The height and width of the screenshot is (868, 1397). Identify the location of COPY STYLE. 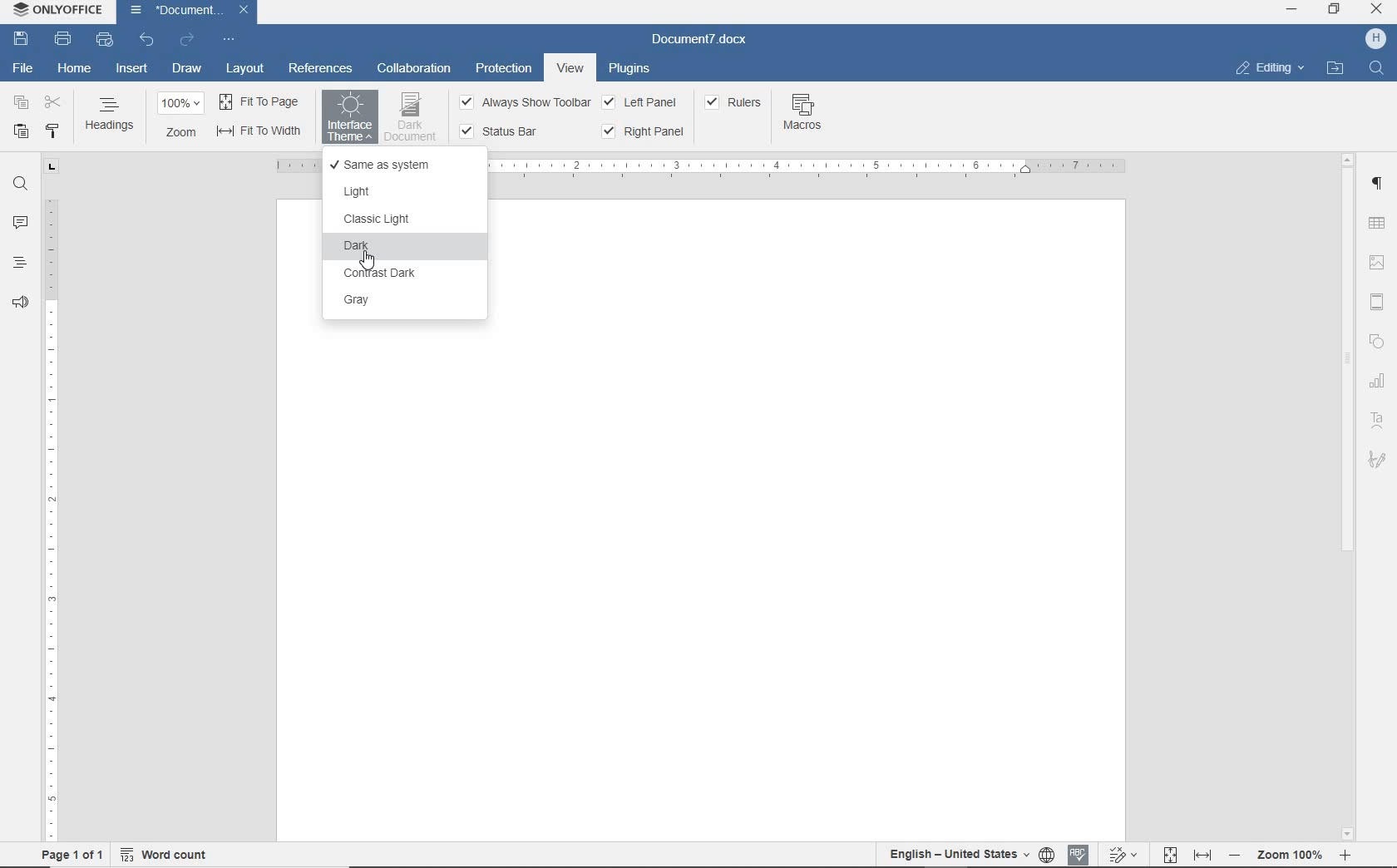
(54, 132).